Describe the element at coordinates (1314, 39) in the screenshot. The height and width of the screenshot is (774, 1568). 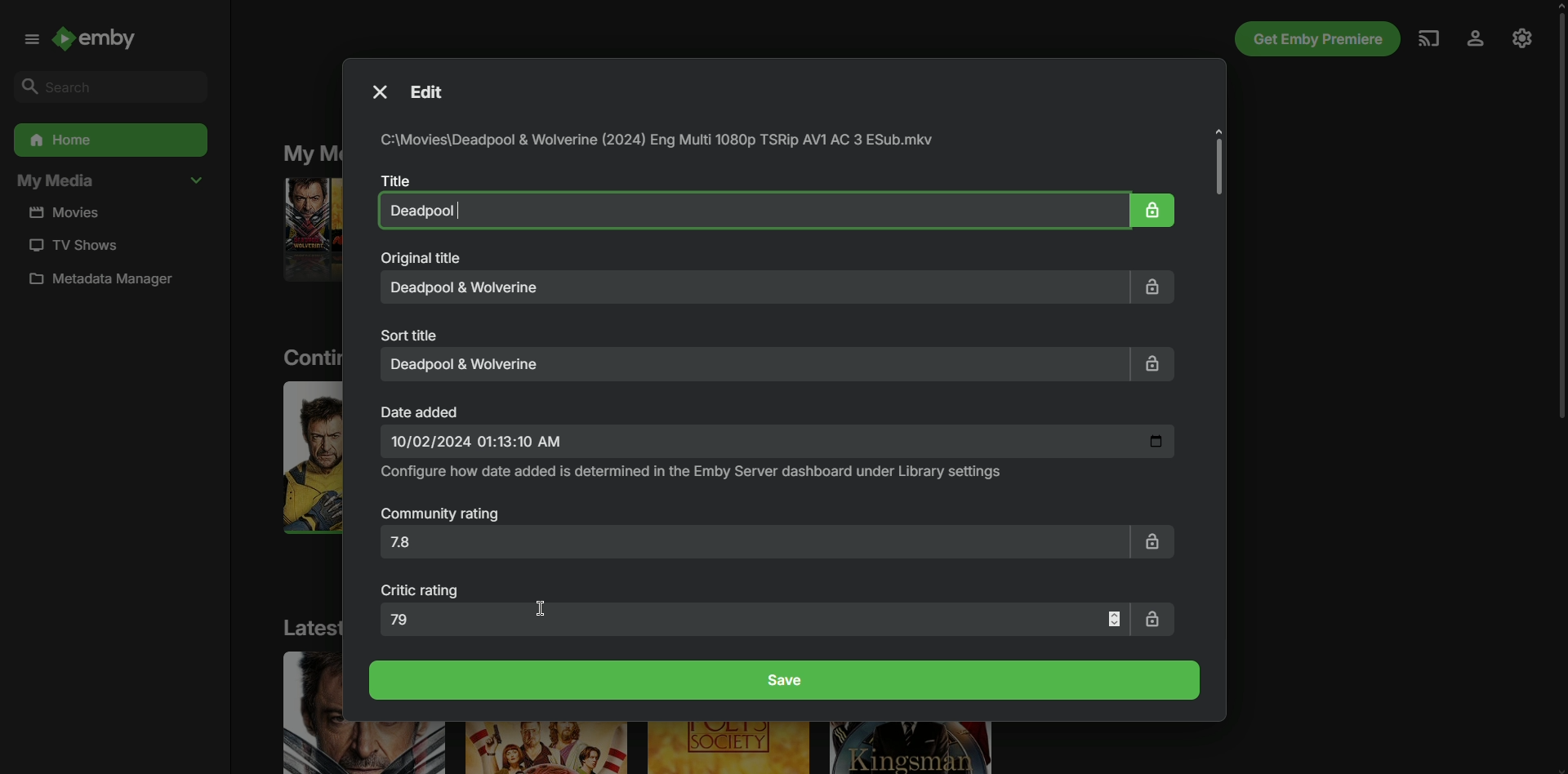
I see `Get Emby Premiere` at that location.